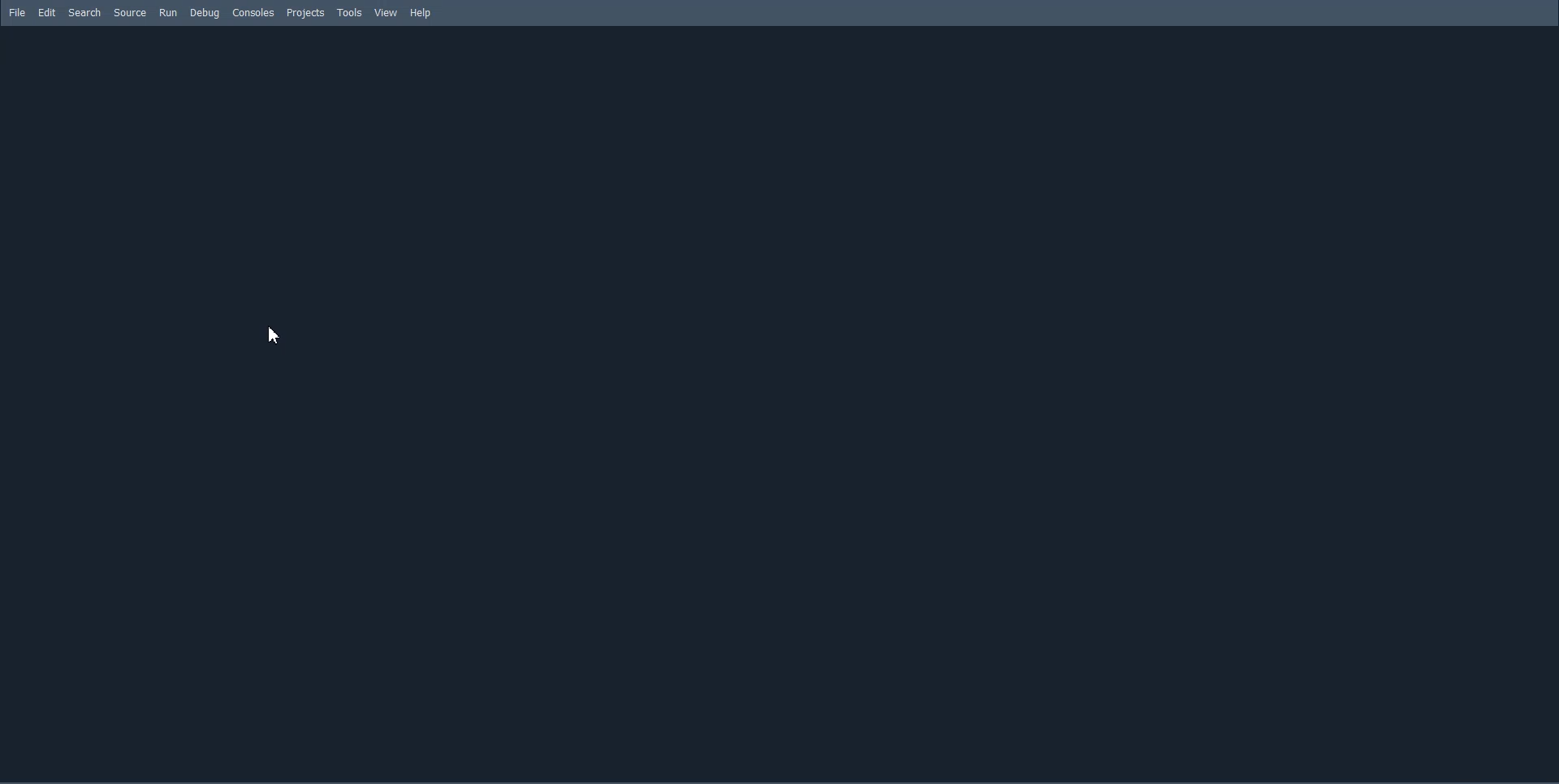  What do you see at coordinates (253, 12) in the screenshot?
I see `Consoles` at bounding box center [253, 12].